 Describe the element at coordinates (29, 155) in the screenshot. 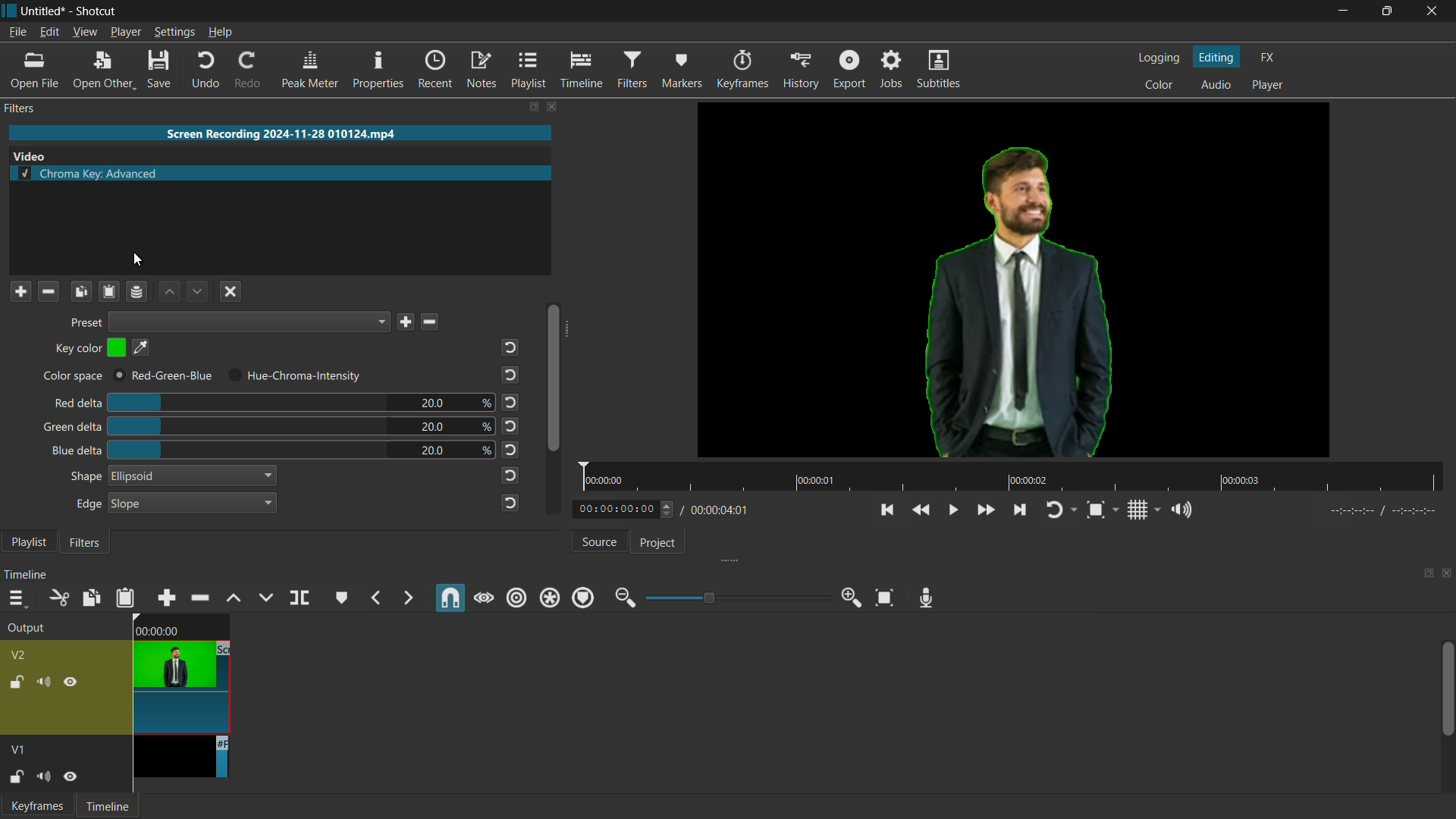

I see `video` at that location.